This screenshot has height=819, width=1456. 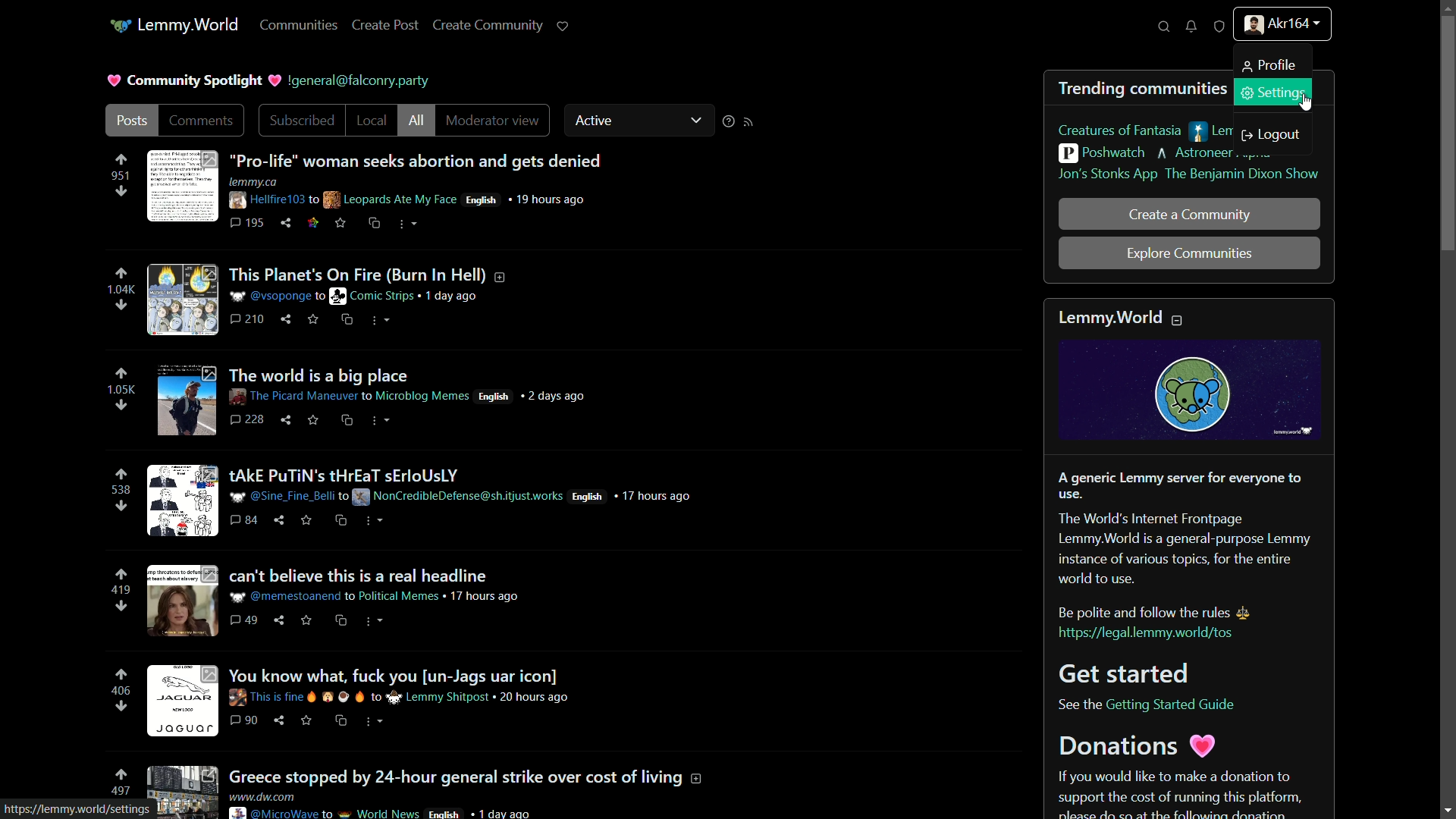 What do you see at coordinates (121, 274) in the screenshot?
I see `upvote` at bounding box center [121, 274].